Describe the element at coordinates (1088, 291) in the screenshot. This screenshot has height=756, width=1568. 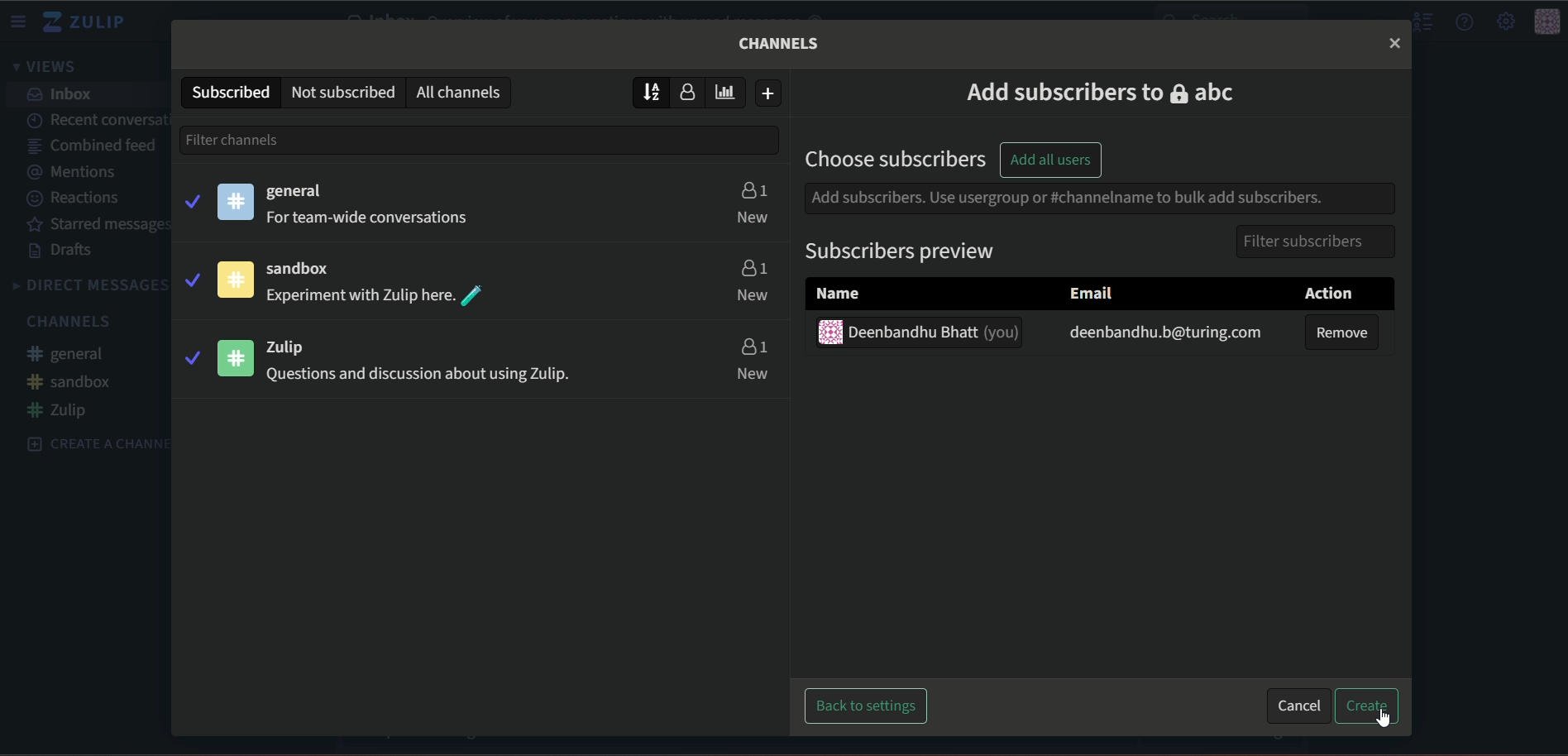
I see `email` at that location.